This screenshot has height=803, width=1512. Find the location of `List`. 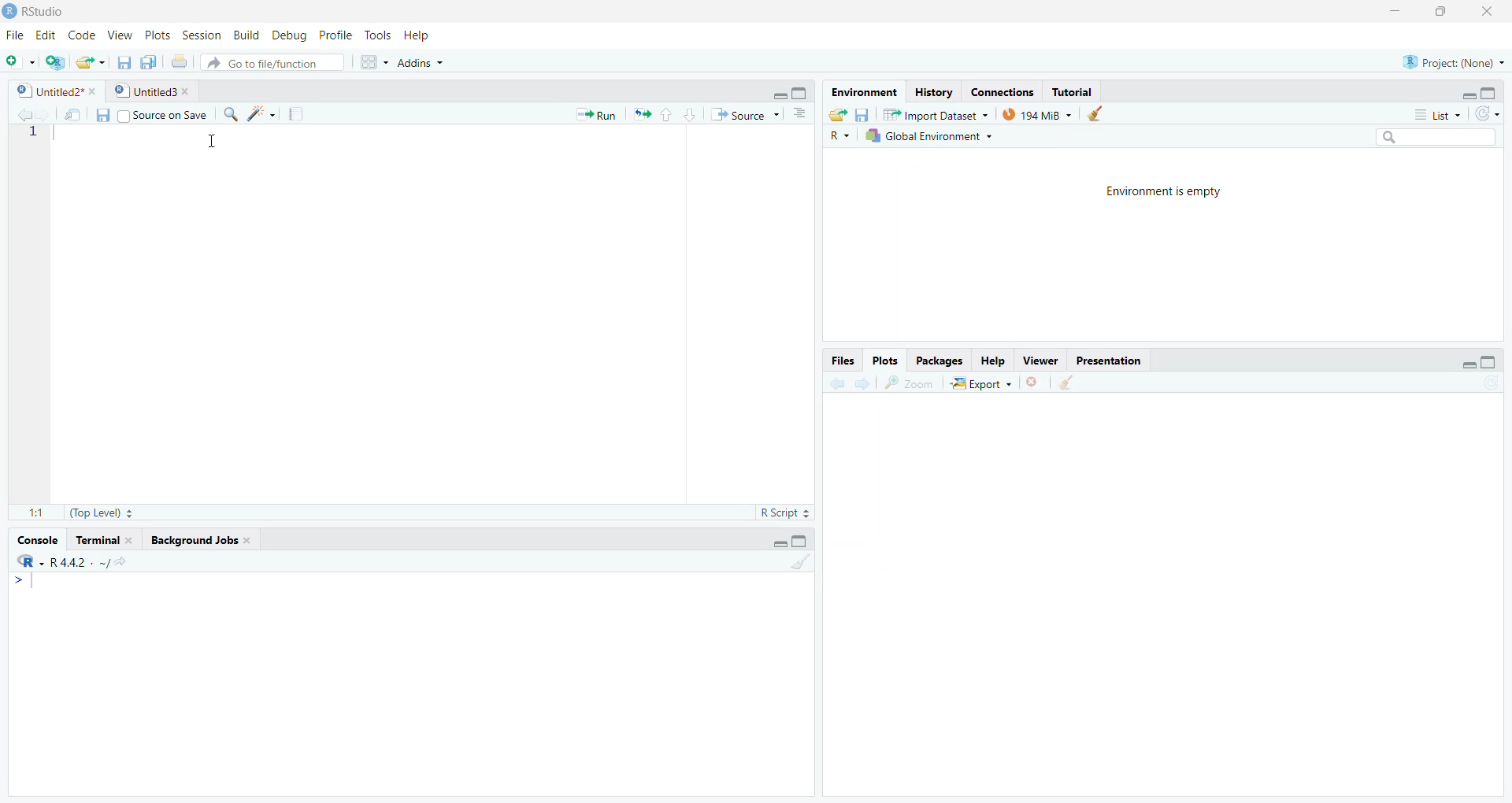

List is located at coordinates (1436, 114).